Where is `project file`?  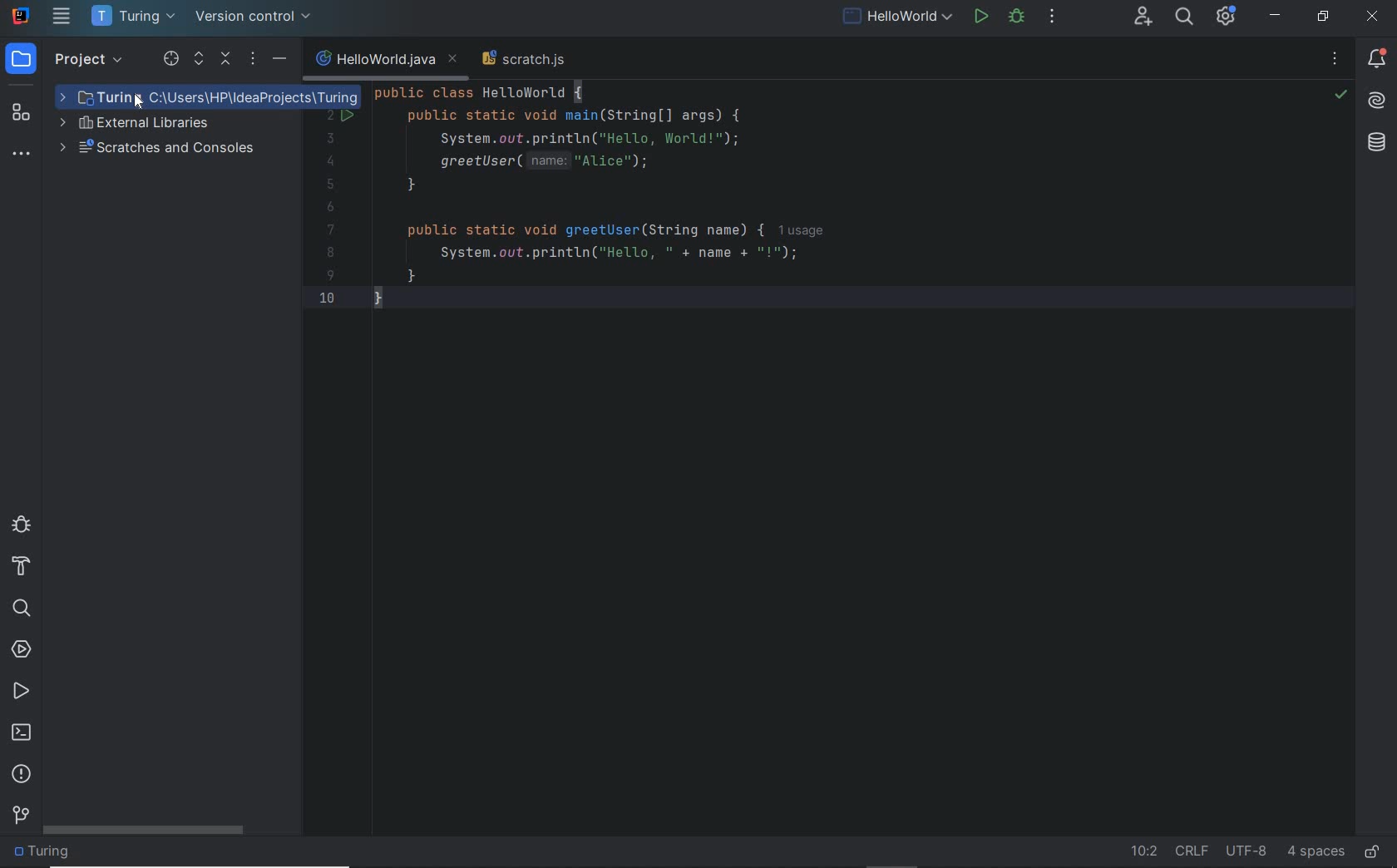 project file is located at coordinates (233, 98).